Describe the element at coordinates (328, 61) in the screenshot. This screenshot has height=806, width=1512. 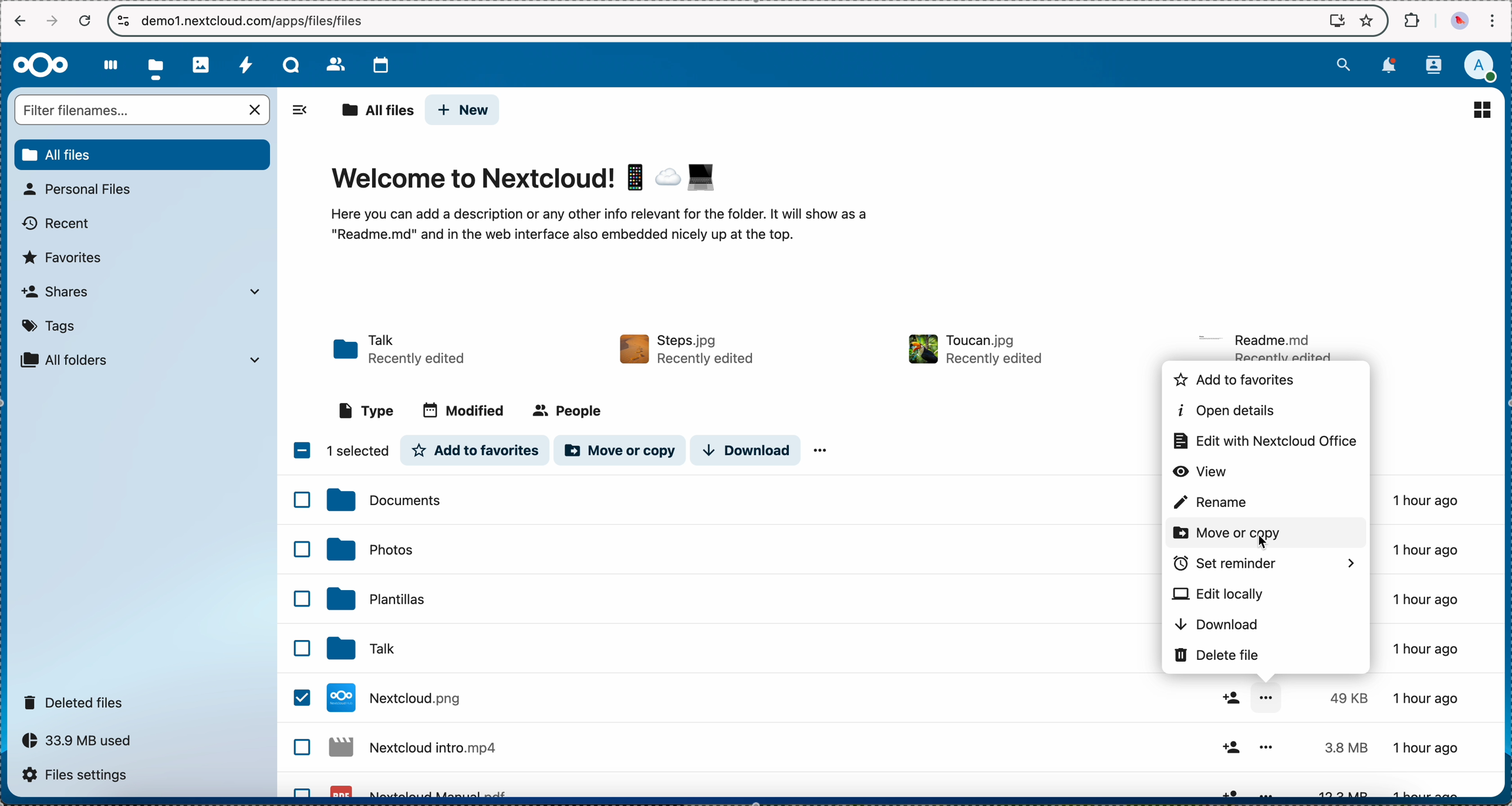
I see `contacts` at that location.